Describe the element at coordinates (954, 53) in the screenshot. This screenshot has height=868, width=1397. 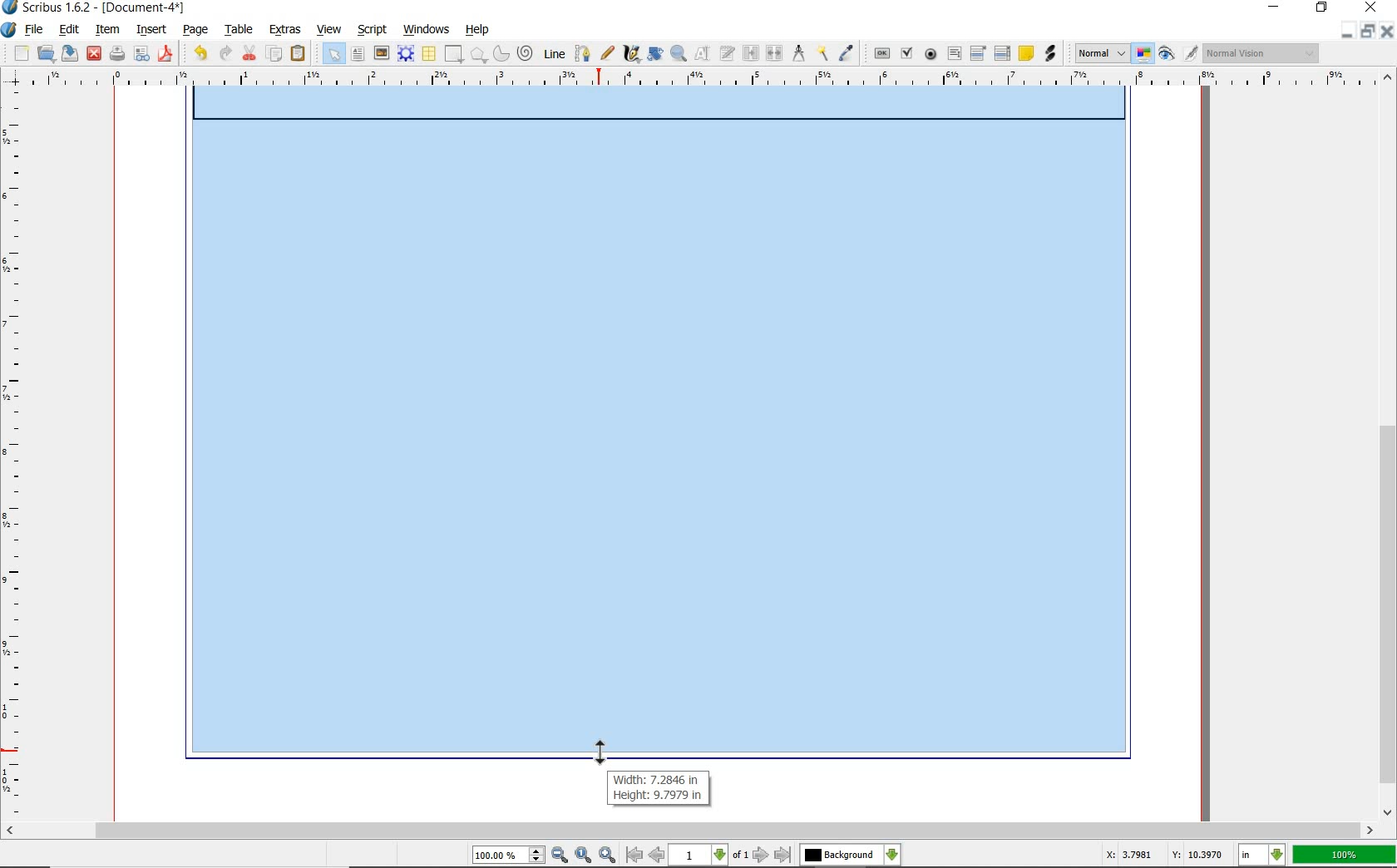
I see `pdf text field` at that location.